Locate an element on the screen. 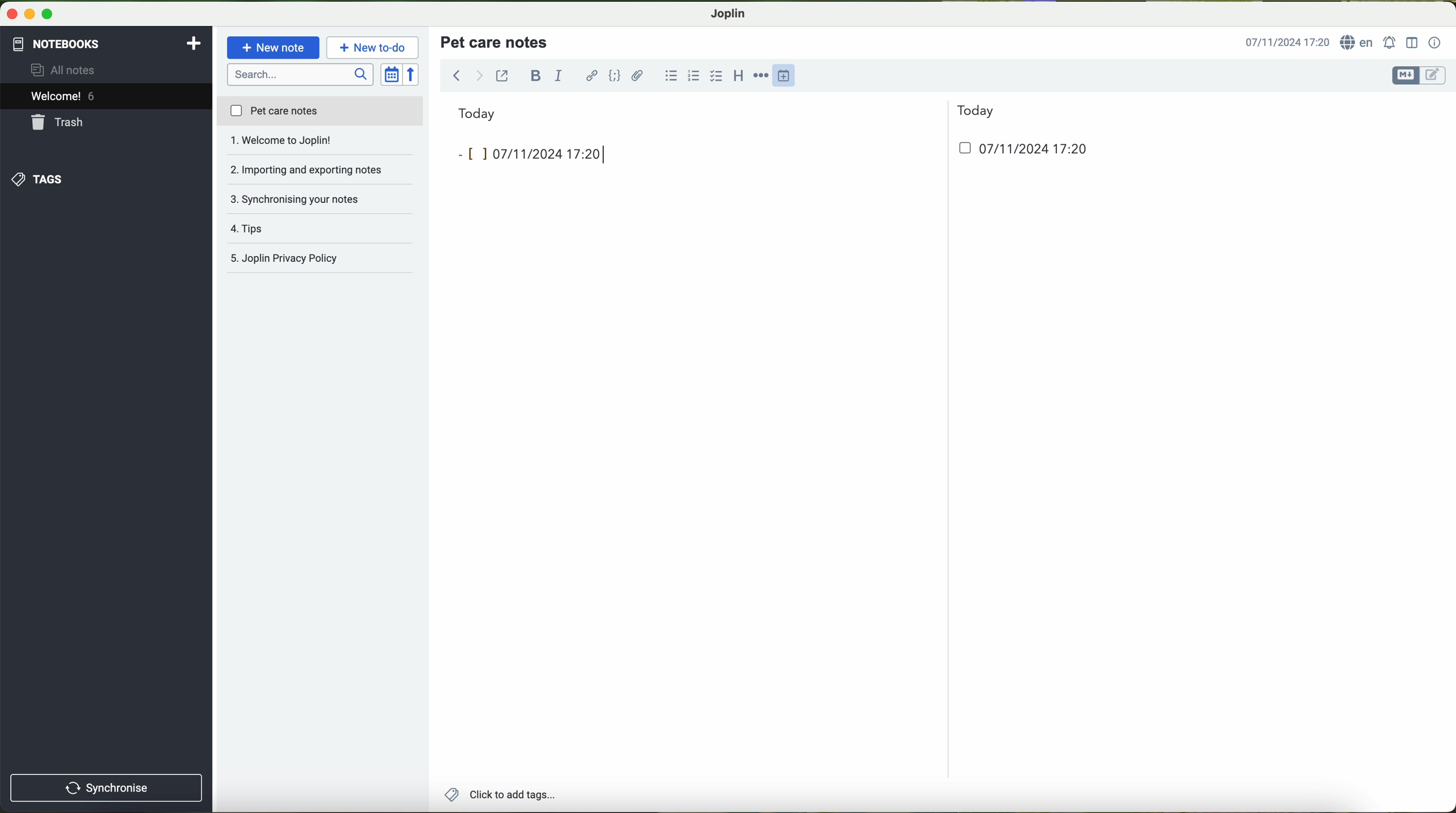  synchronising your notes is located at coordinates (321, 171).